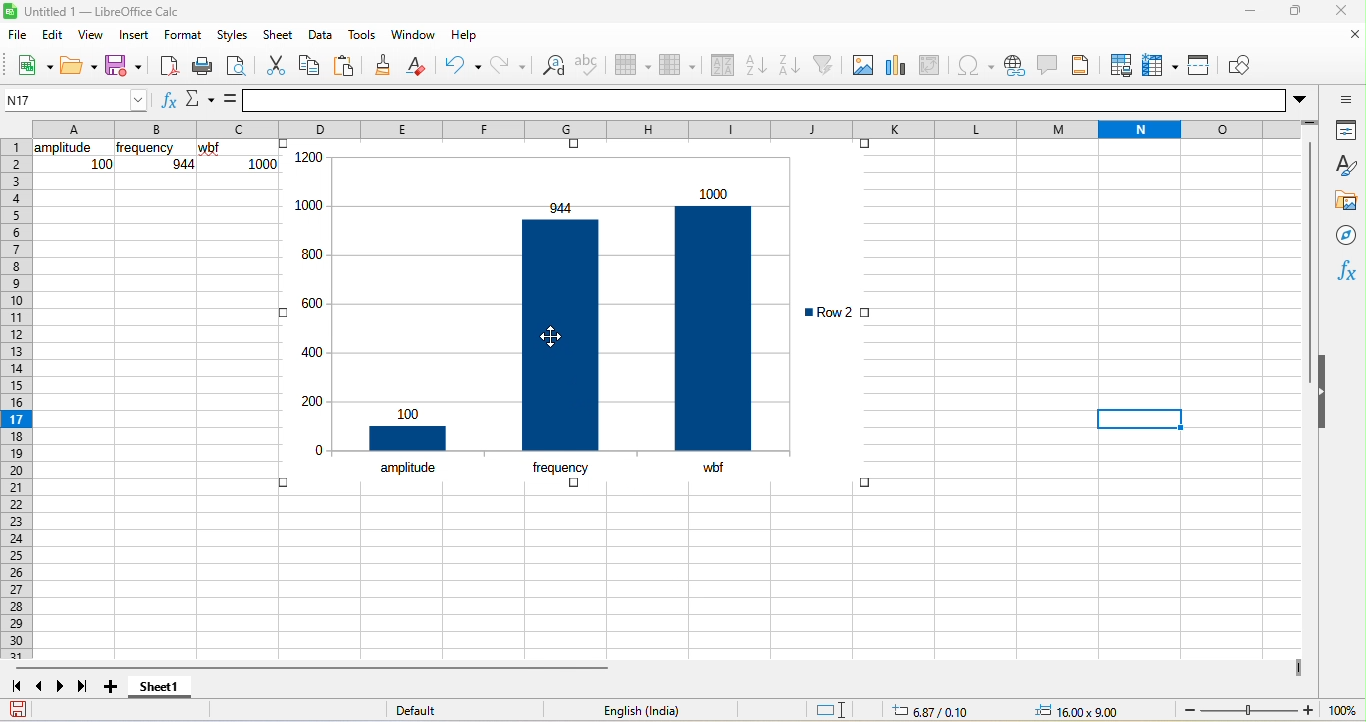 This screenshot has height=722, width=1366. What do you see at coordinates (222, 101) in the screenshot?
I see `formula` at bounding box center [222, 101].